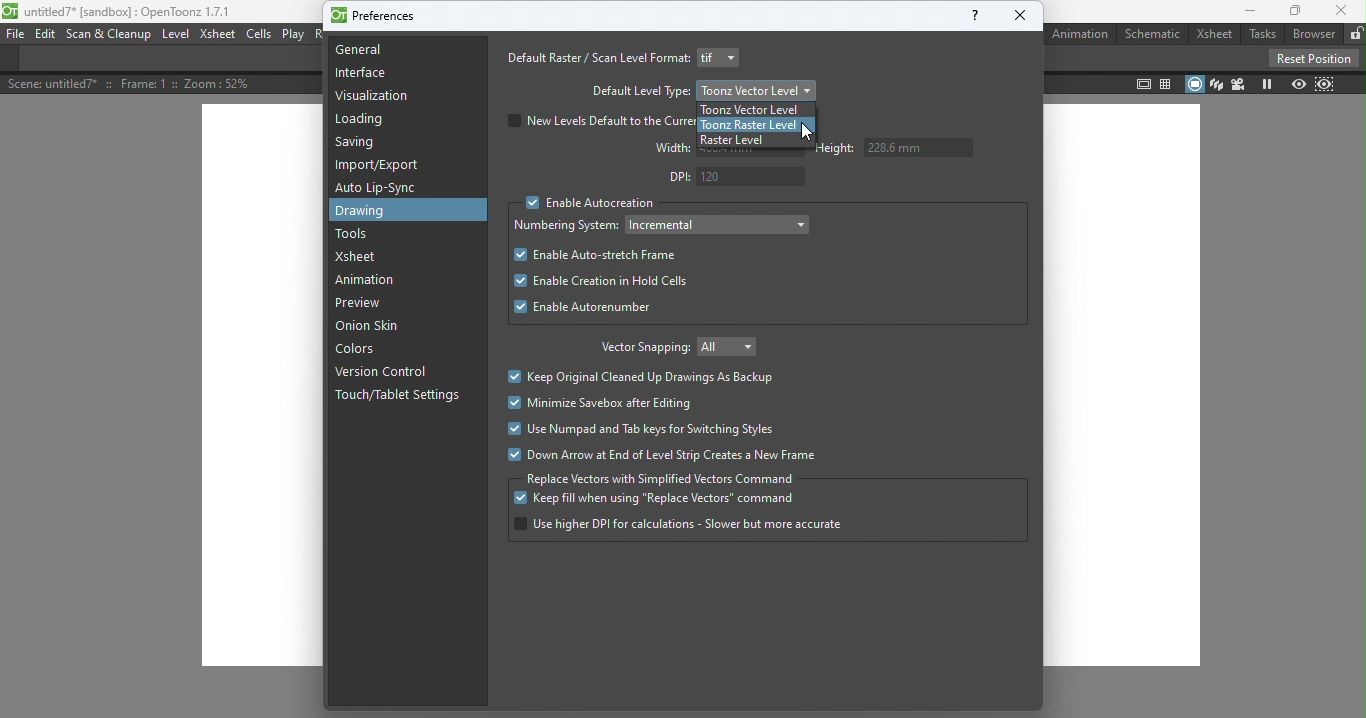 The image size is (1366, 718). I want to click on Touch/tablet settings, so click(400, 400).